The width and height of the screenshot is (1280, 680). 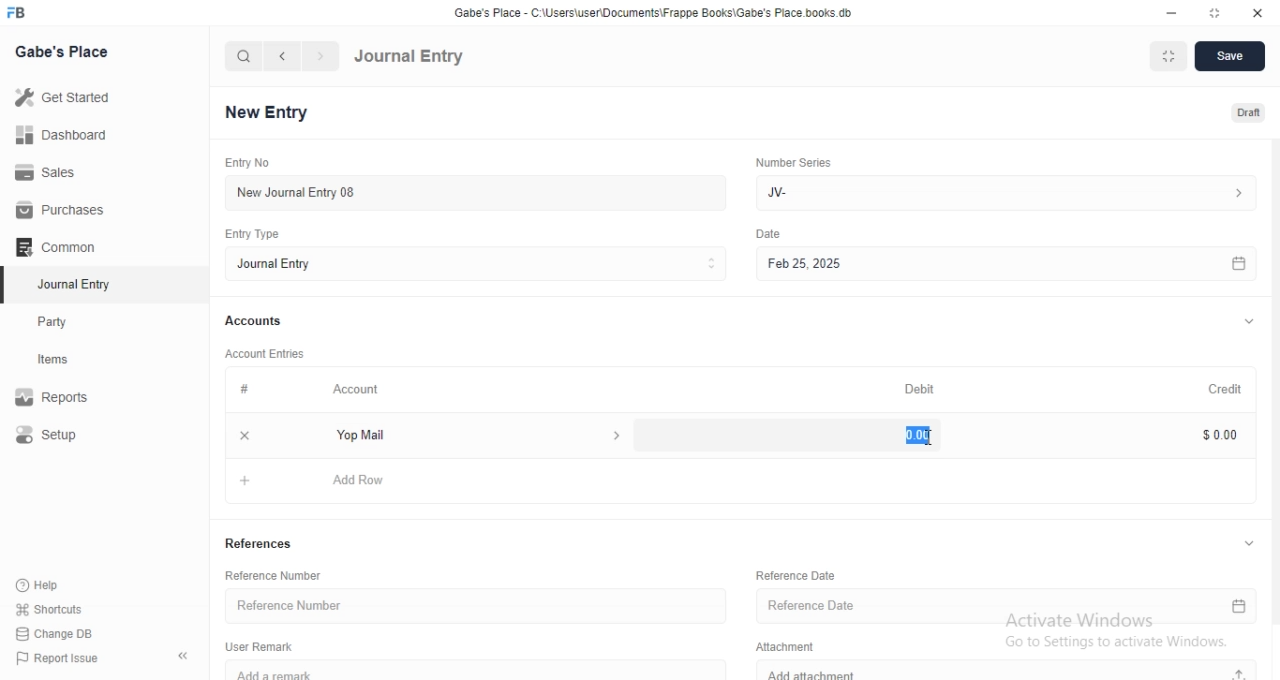 I want to click on Yop Mail, so click(x=473, y=435).